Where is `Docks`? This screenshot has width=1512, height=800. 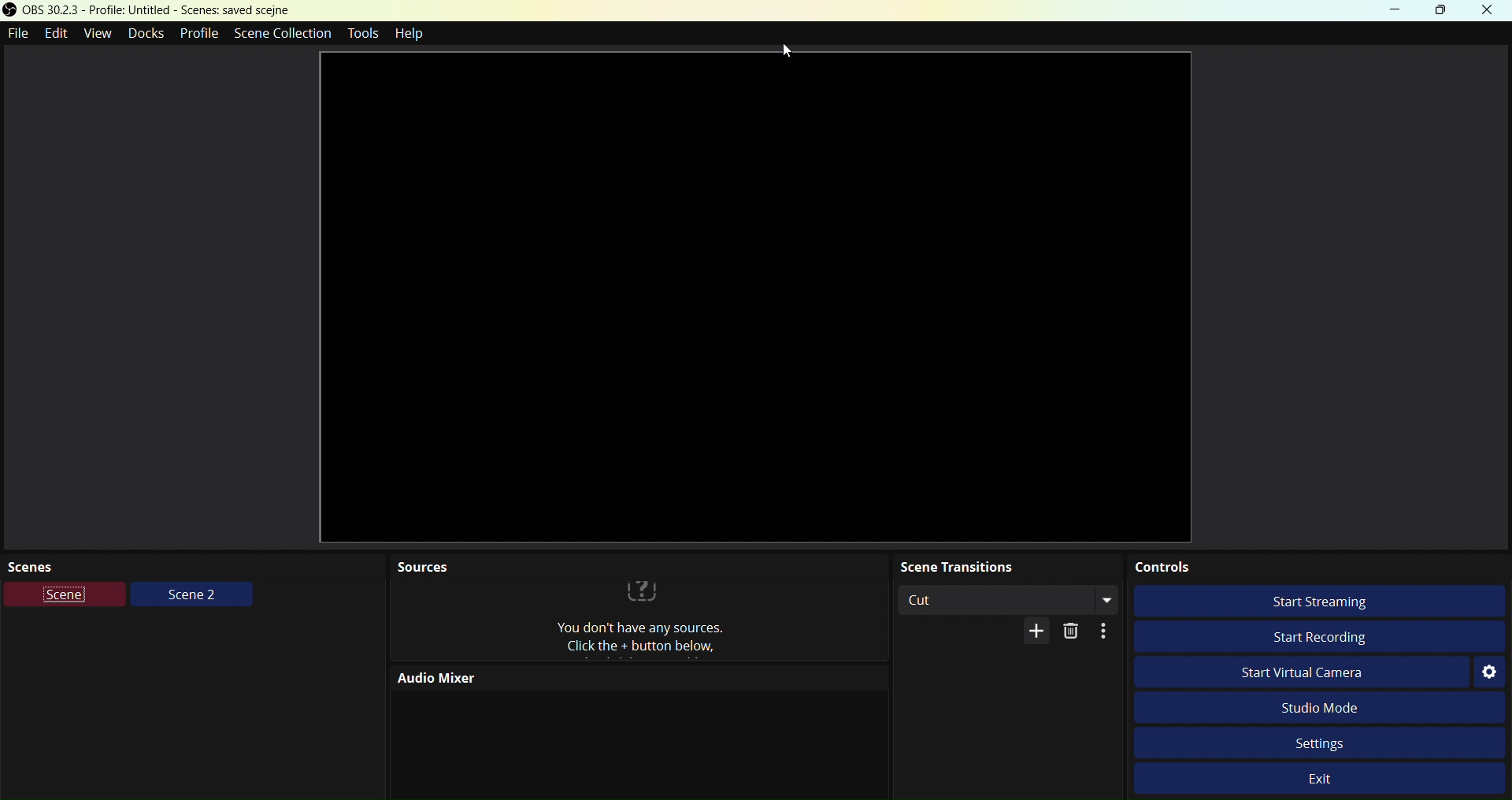
Docks is located at coordinates (147, 35).